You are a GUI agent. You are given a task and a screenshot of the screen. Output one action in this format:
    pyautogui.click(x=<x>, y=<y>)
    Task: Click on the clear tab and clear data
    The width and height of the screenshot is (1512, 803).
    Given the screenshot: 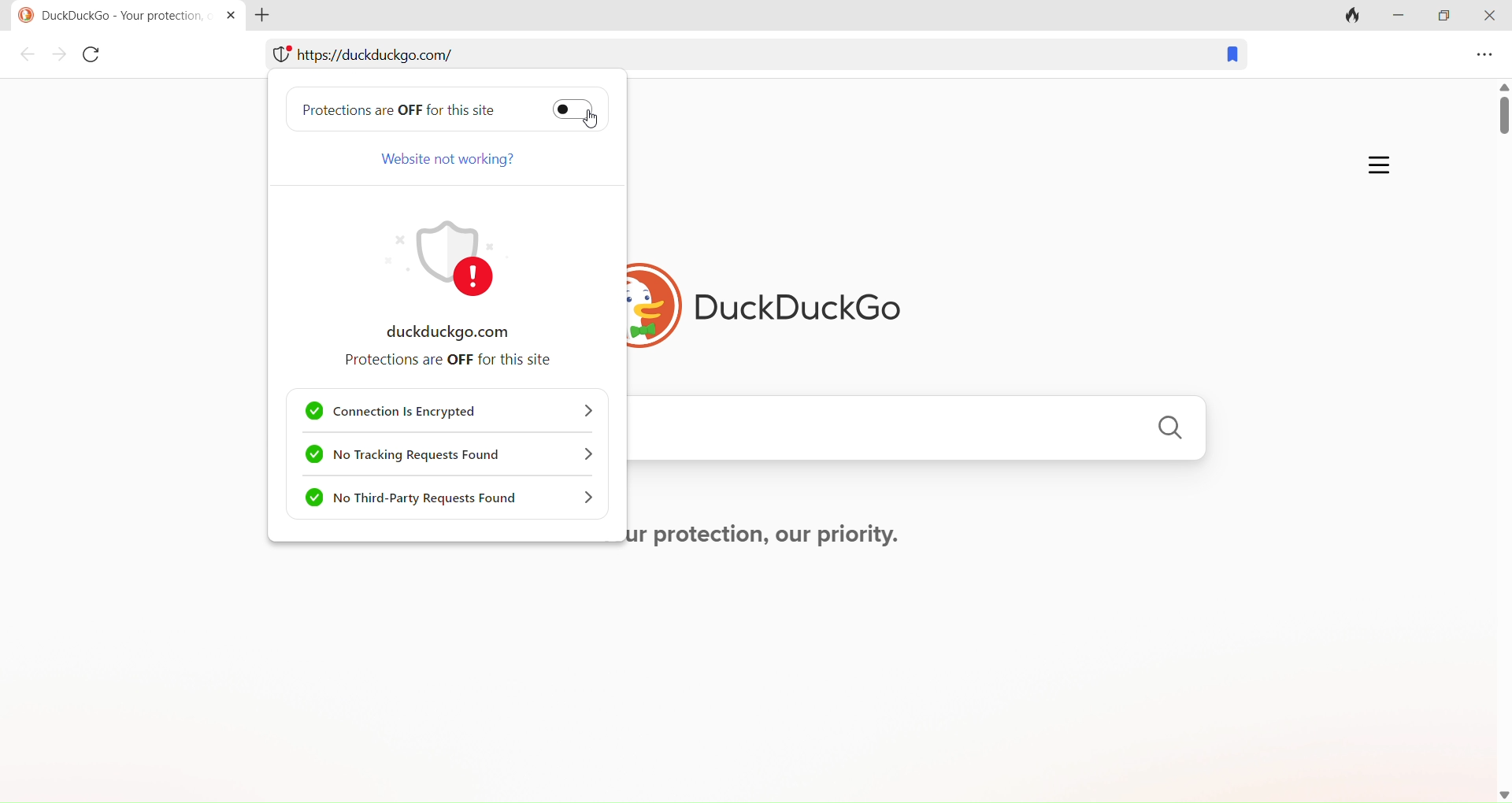 What is the action you would take?
    pyautogui.click(x=1354, y=15)
    